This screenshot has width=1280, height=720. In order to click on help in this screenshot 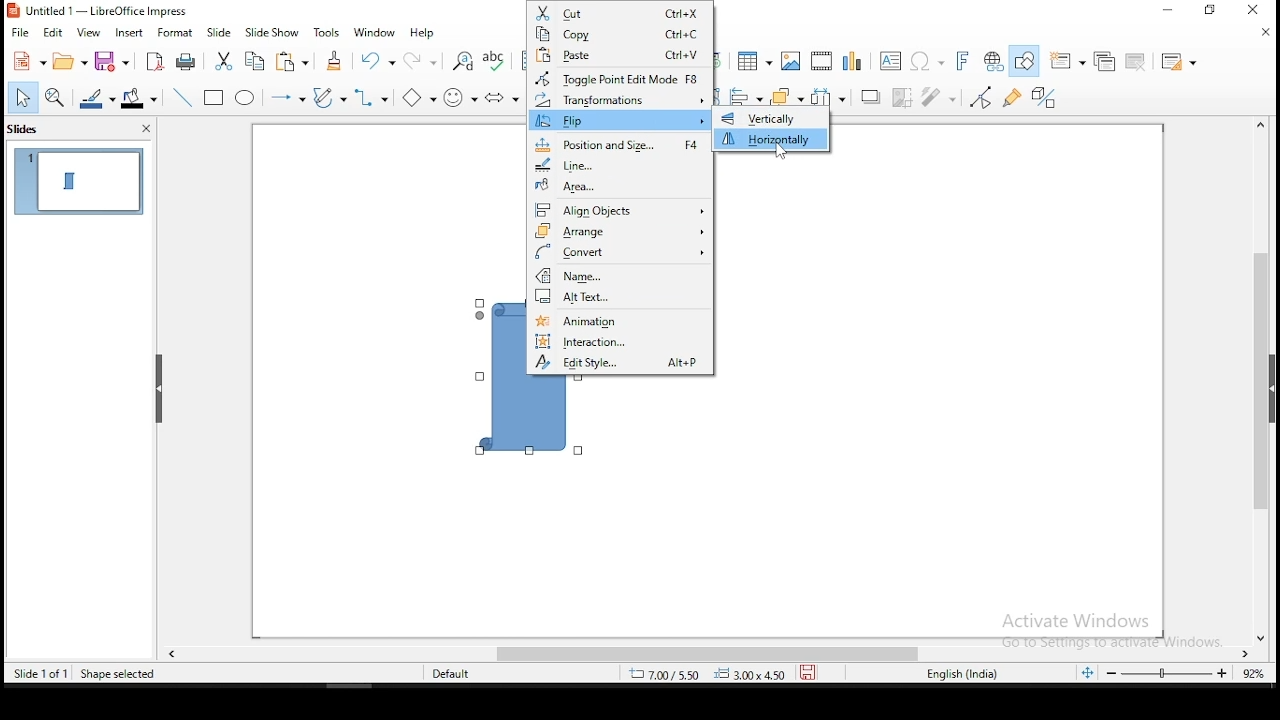, I will do `click(424, 32)`.